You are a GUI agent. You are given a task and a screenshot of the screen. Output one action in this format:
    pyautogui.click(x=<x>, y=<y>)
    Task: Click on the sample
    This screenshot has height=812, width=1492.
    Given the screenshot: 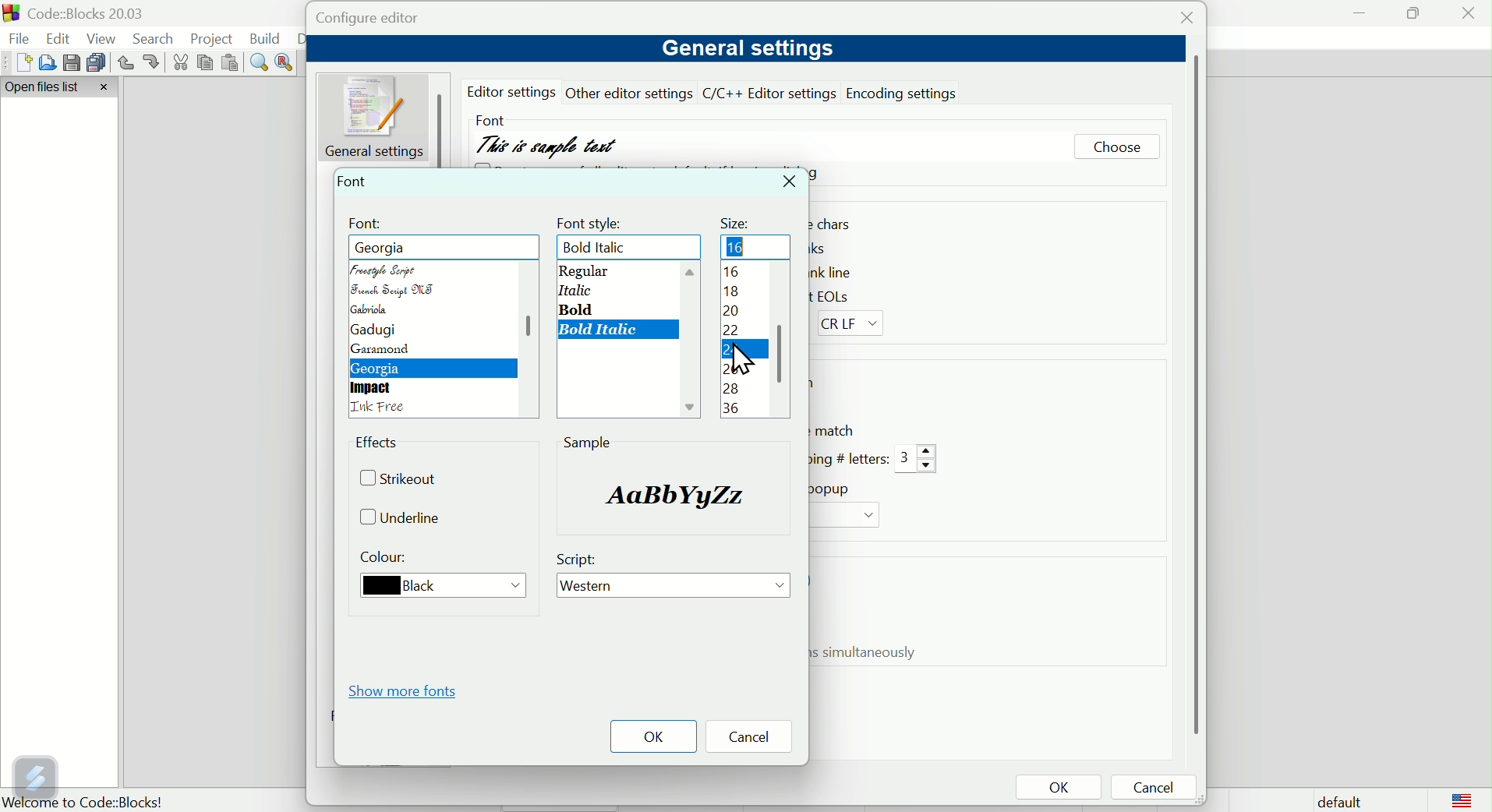 What is the action you would take?
    pyautogui.click(x=666, y=493)
    